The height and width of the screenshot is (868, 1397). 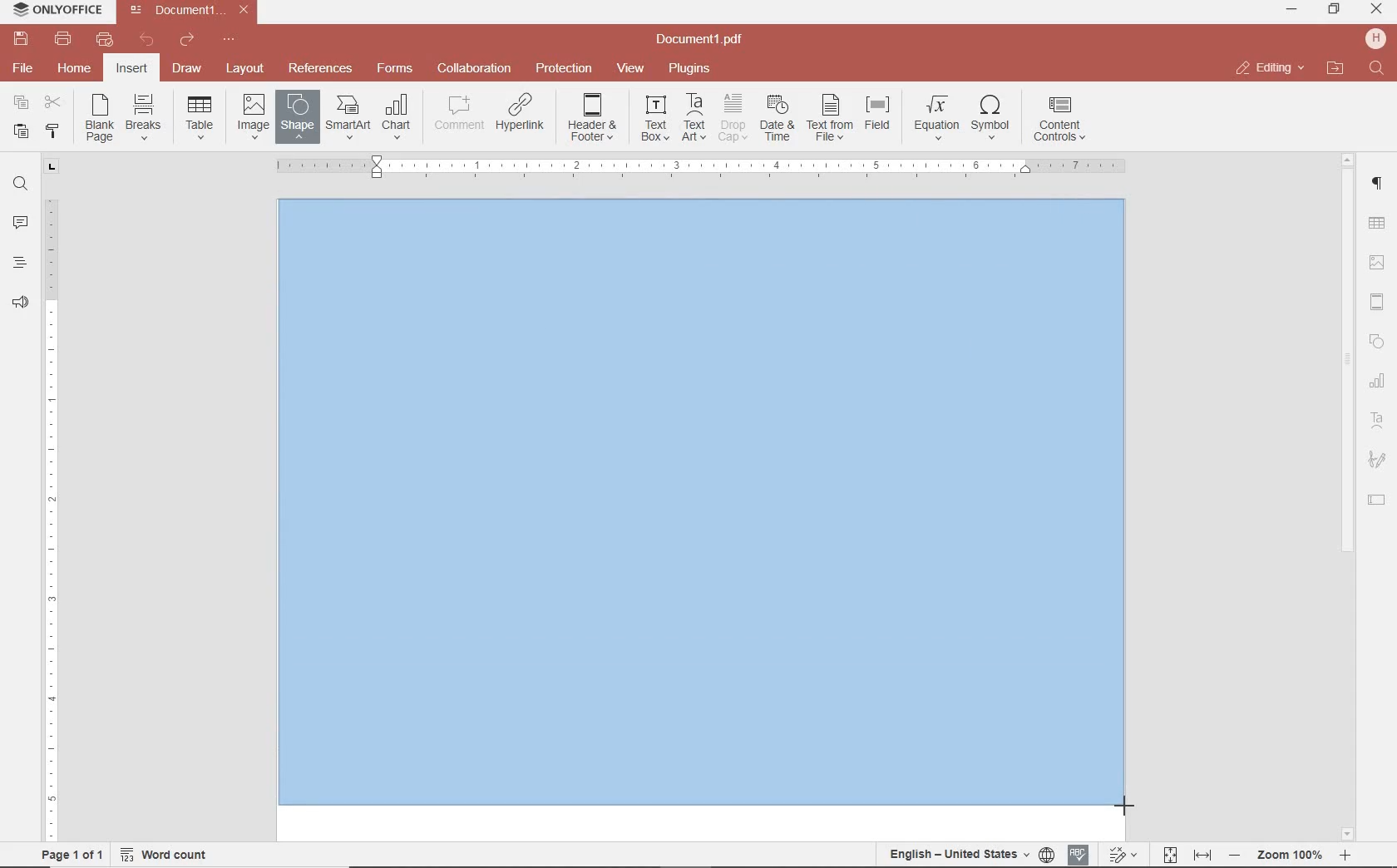 I want to click on copy style, so click(x=51, y=130).